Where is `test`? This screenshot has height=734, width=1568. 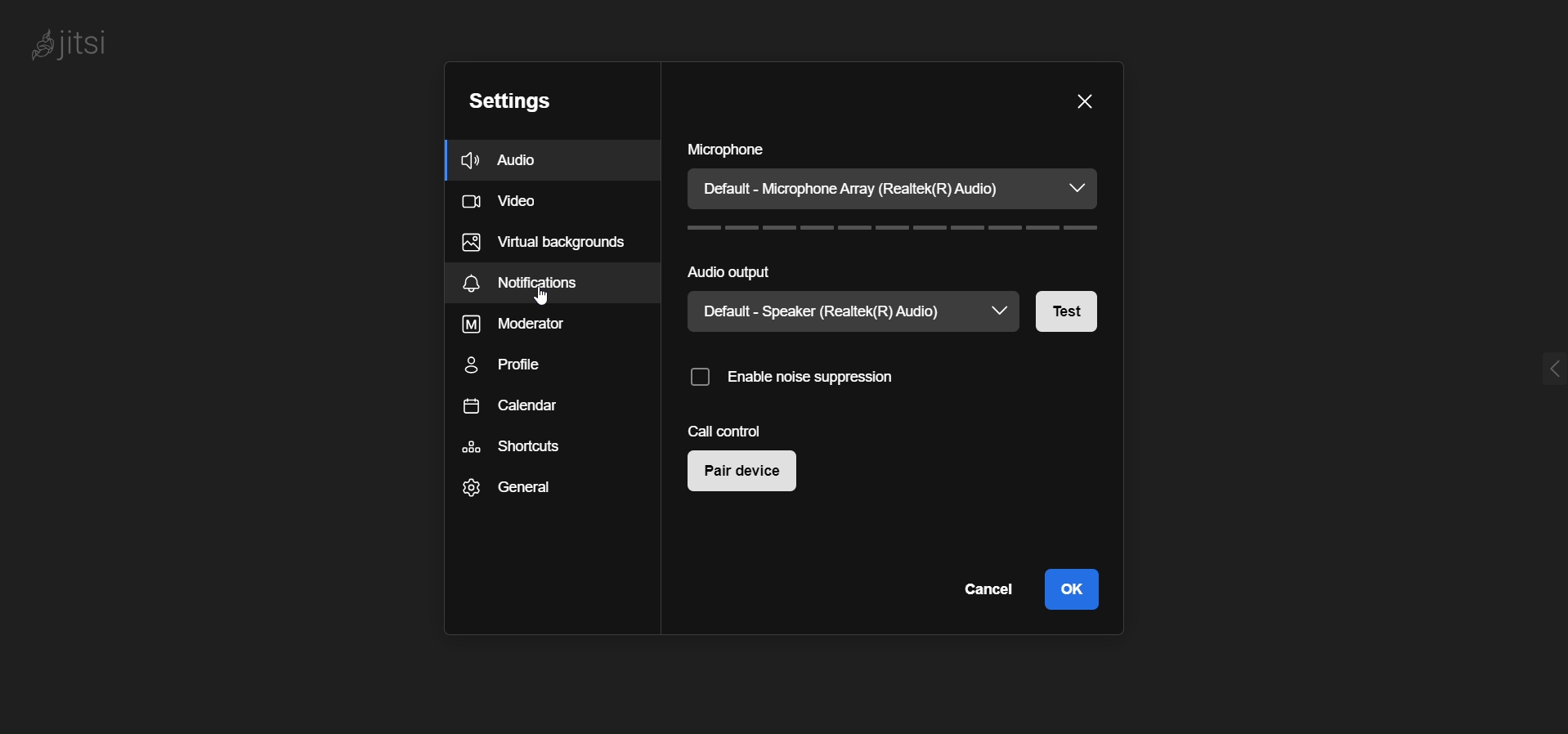
test is located at coordinates (1074, 313).